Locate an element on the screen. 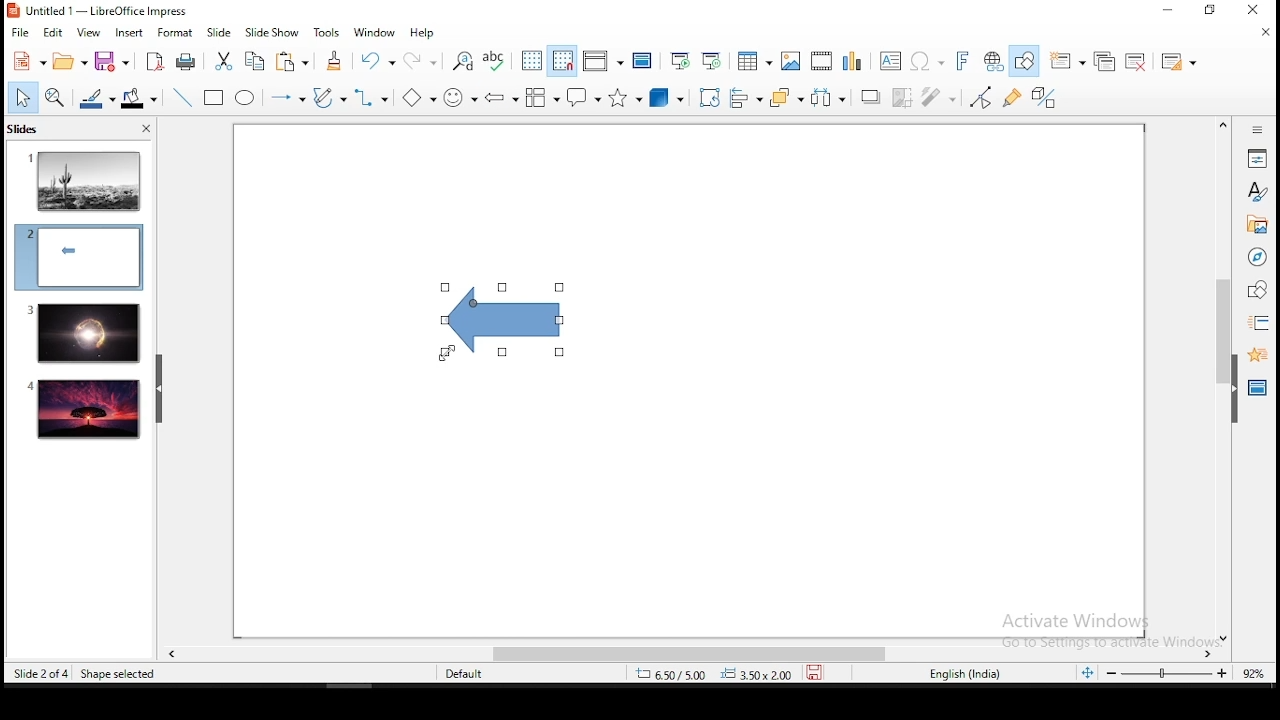 The image size is (1280, 720). slide 2 is located at coordinates (78, 257).